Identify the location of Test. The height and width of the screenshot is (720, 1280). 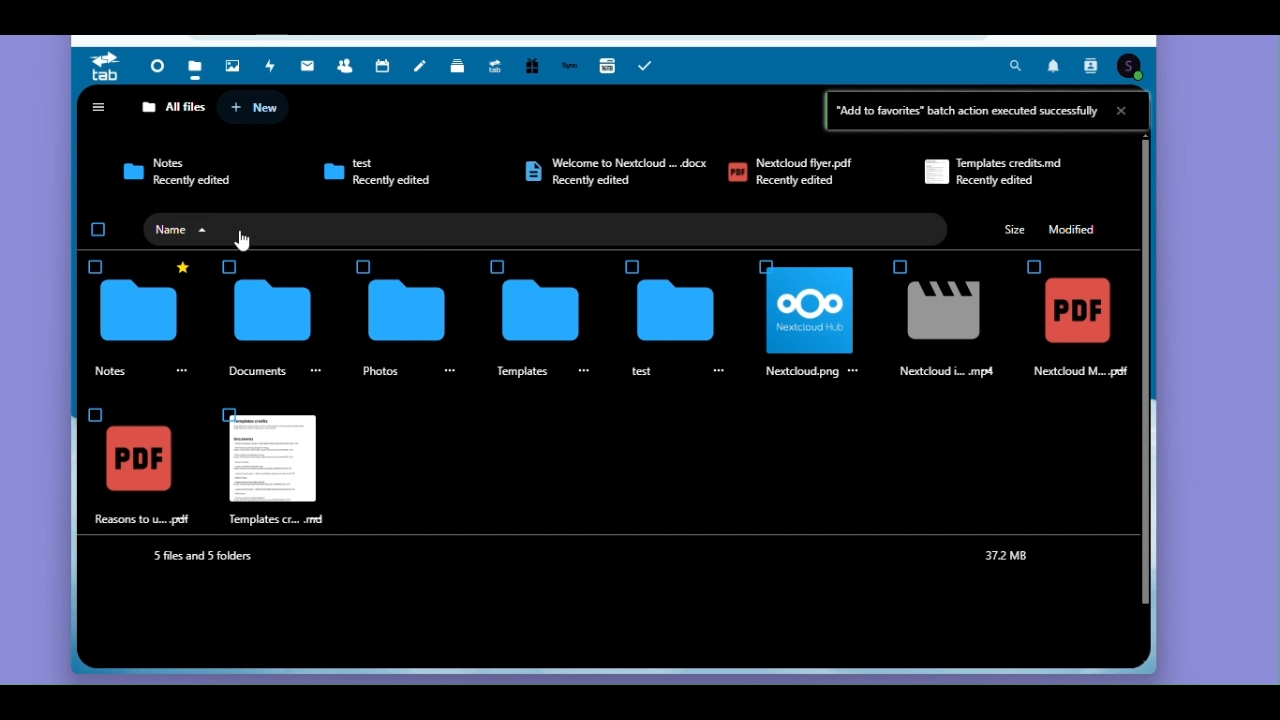
(392, 165).